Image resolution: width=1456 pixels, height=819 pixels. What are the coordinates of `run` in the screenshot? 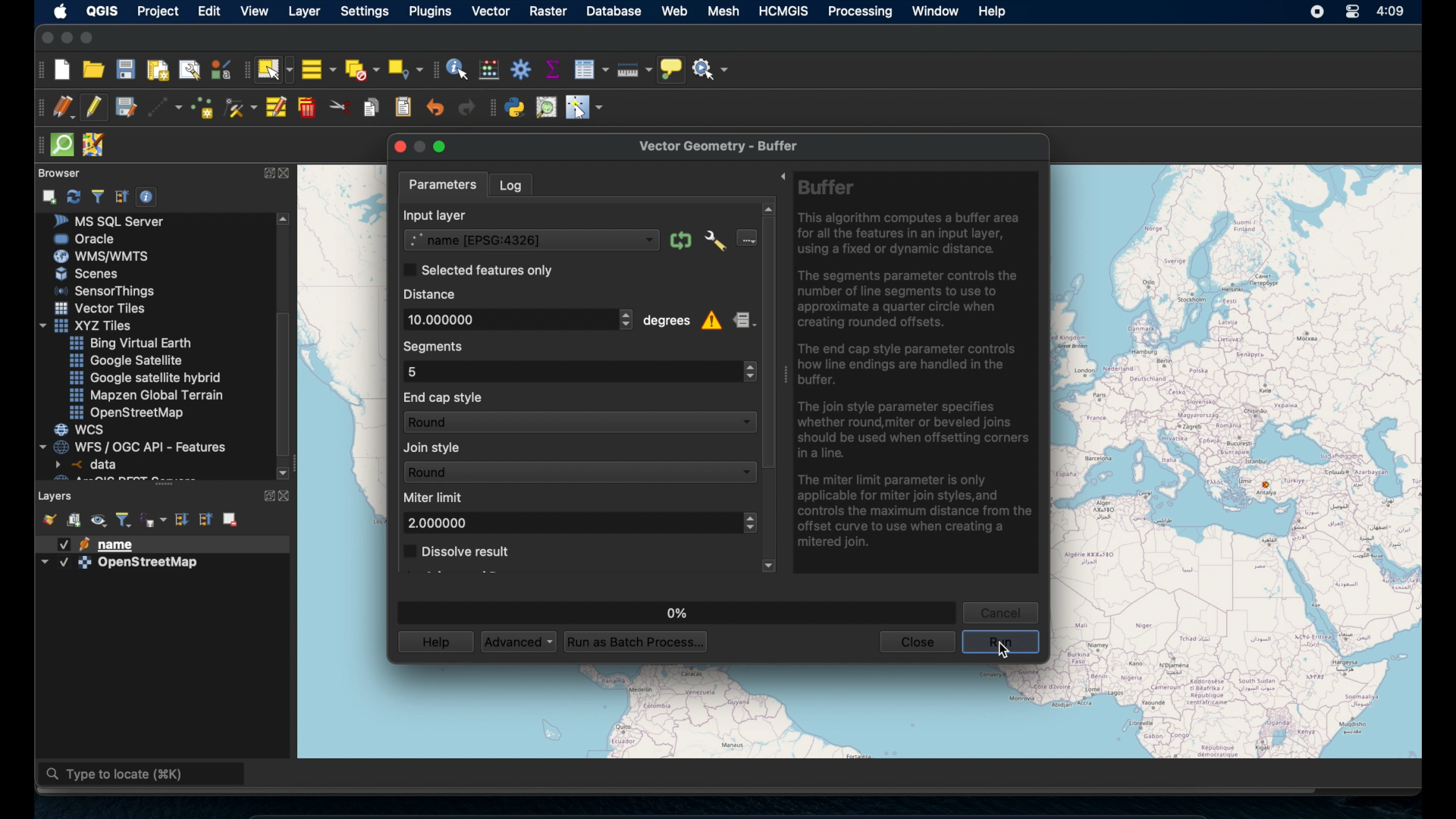 It's located at (1003, 642).